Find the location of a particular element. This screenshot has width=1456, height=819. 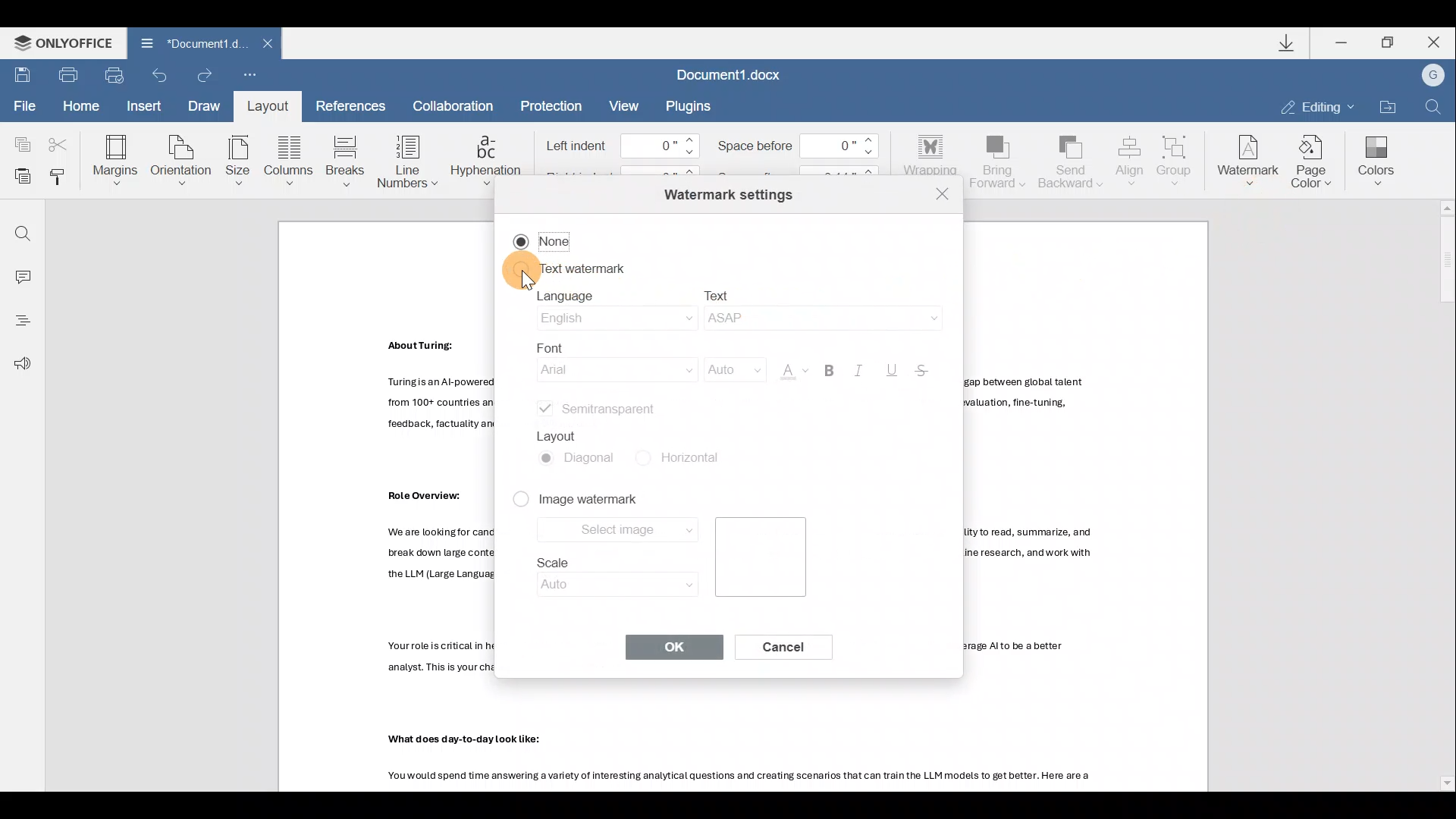

Wrapping is located at coordinates (927, 161).